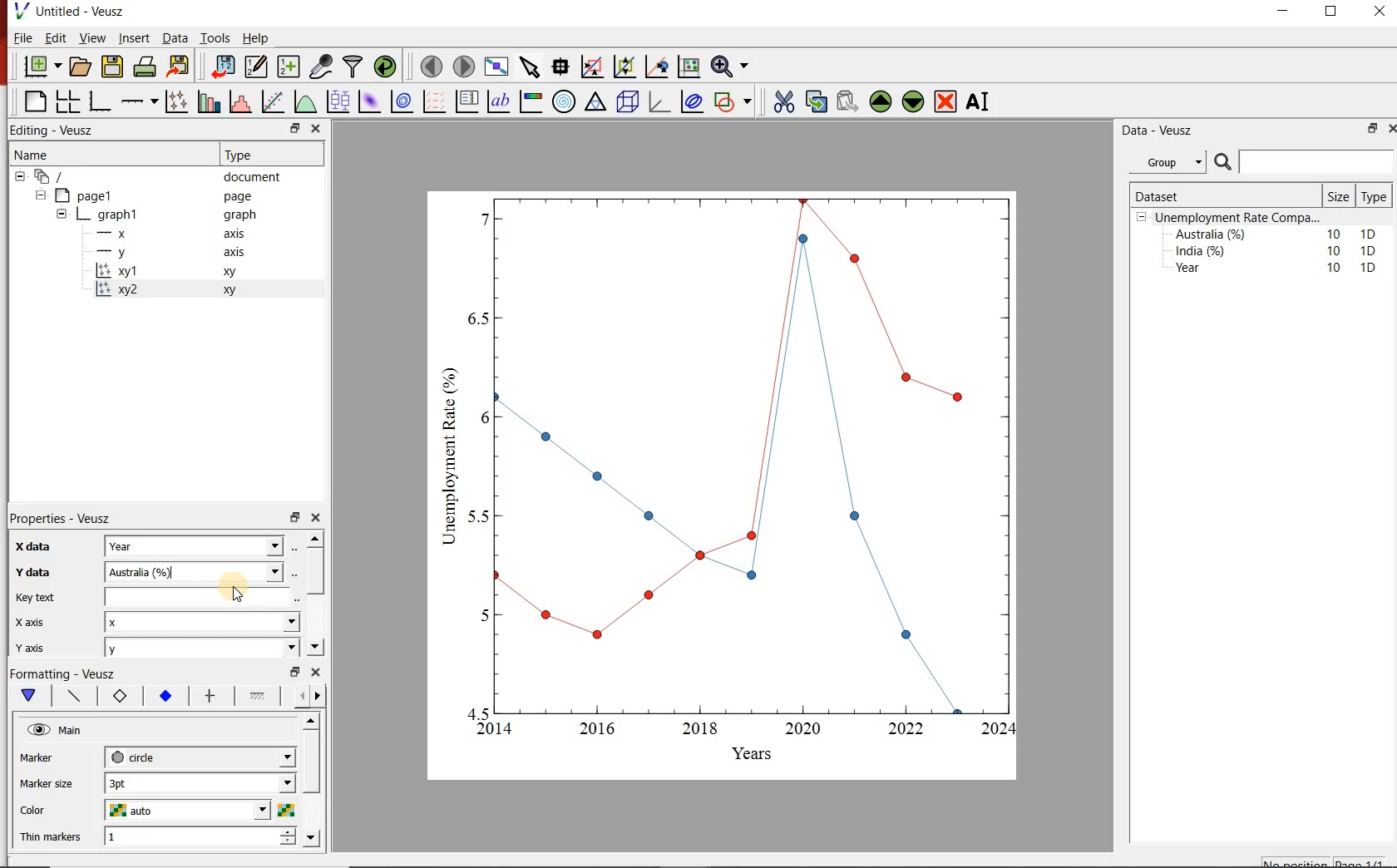 Image resolution: width=1397 pixels, height=868 pixels. I want to click on scroll bar, so click(314, 569).